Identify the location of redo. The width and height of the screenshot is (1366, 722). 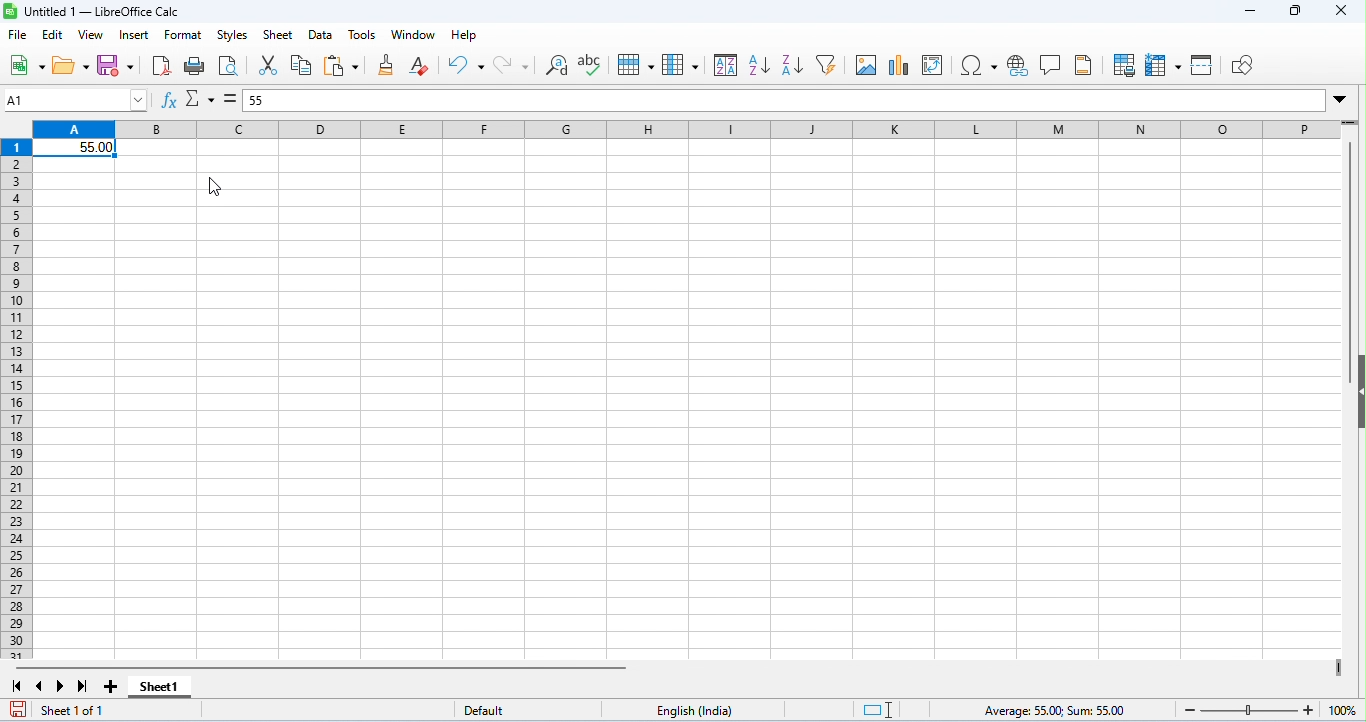
(513, 67).